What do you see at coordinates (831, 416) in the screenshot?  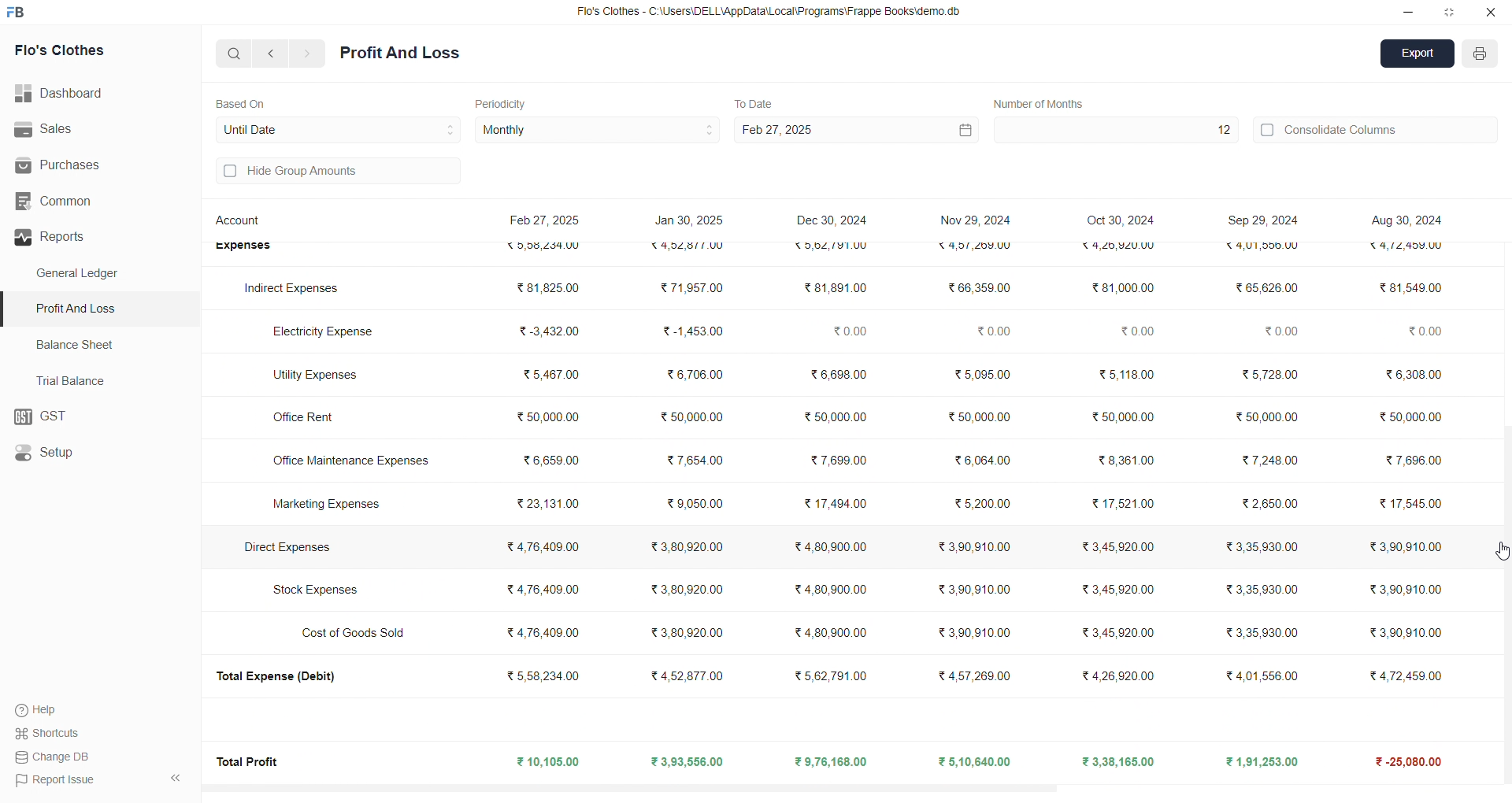 I see `₹50,000.00` at bounding box center [831, 416].